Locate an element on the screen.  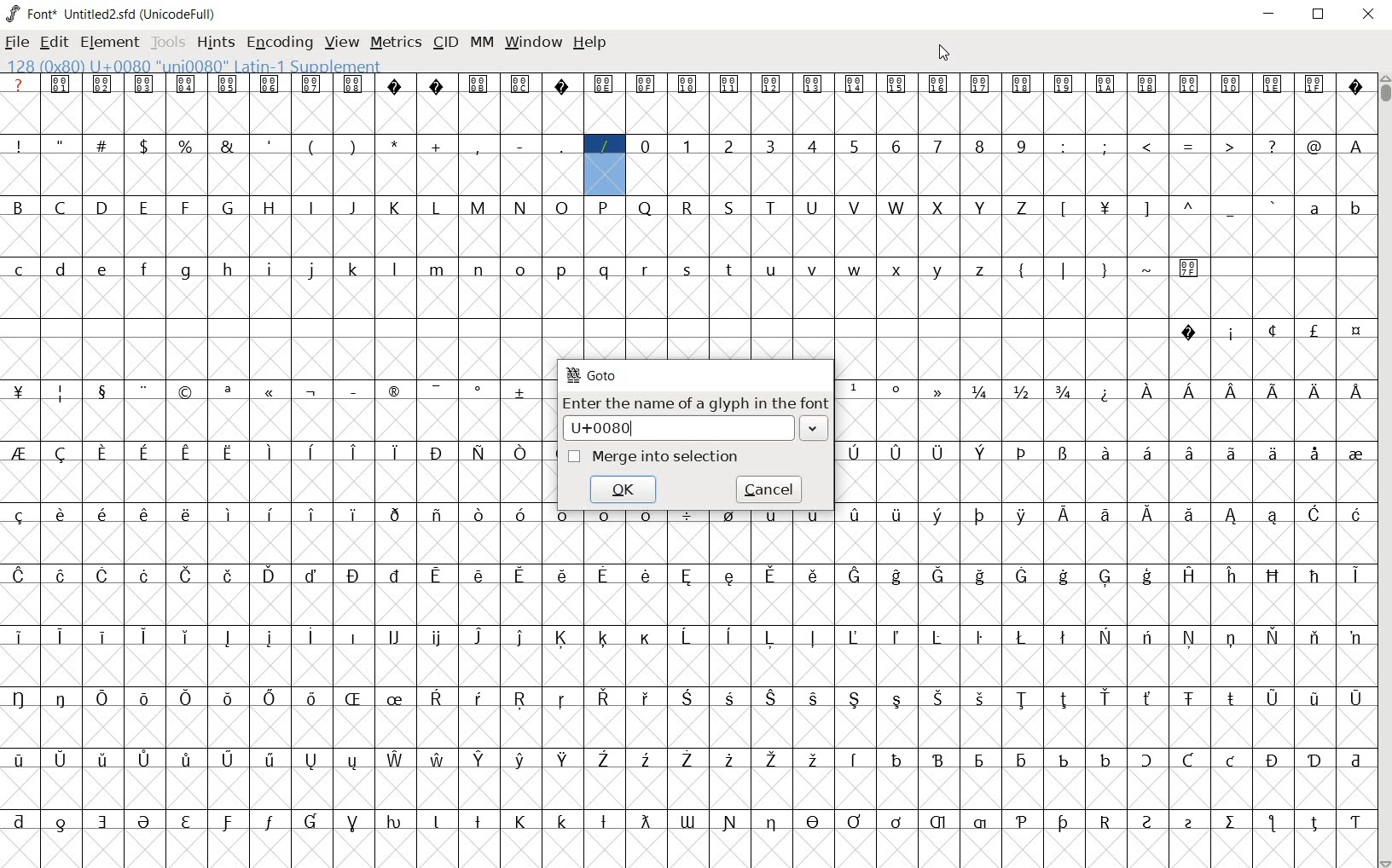
glyph is located at coordinates (1314, 824).